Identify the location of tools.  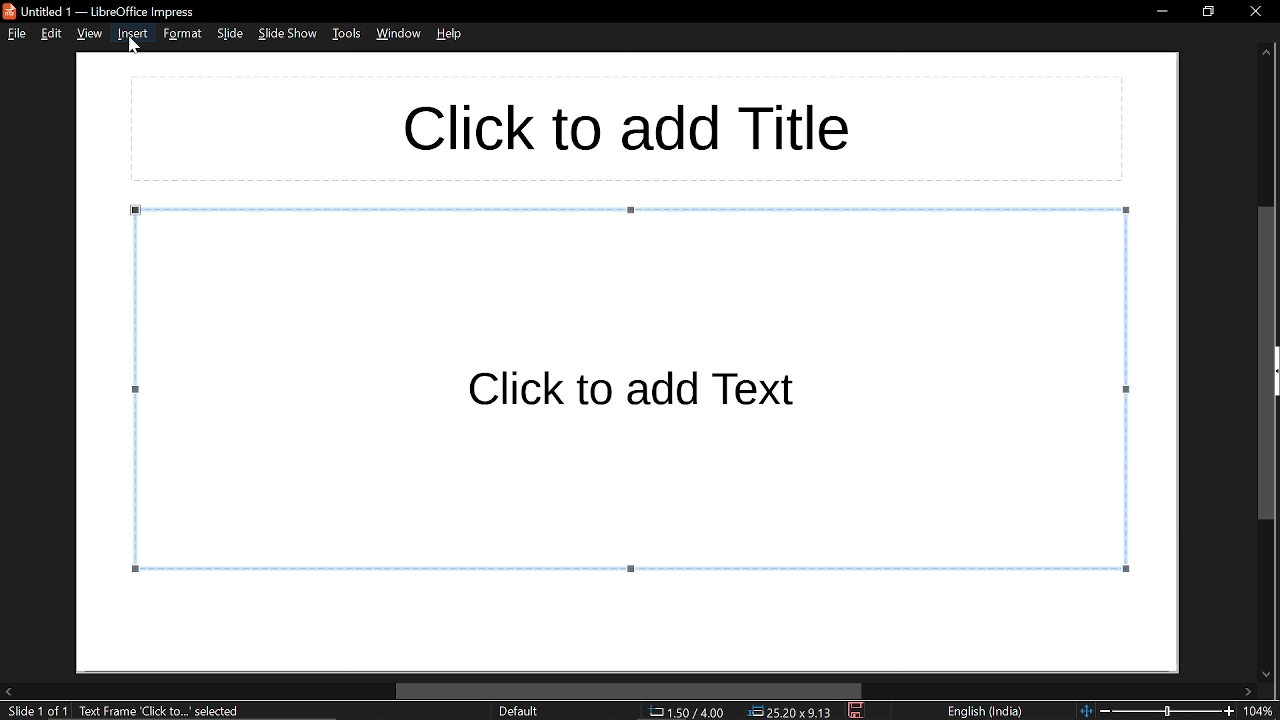
(348, 34).